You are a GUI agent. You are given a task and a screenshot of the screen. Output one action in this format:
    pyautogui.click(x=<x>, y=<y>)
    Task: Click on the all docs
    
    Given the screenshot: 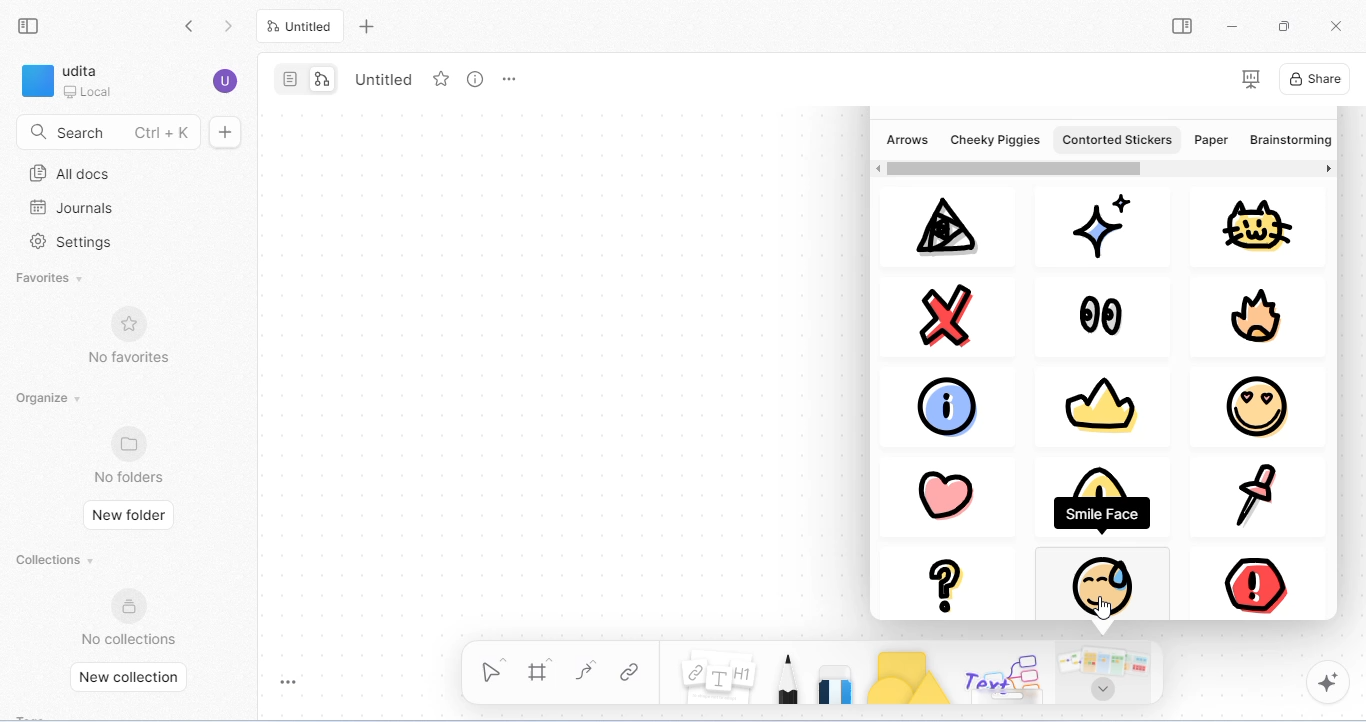 What is the action you would take?
    pyautogui.click(x=71, y=174)
    